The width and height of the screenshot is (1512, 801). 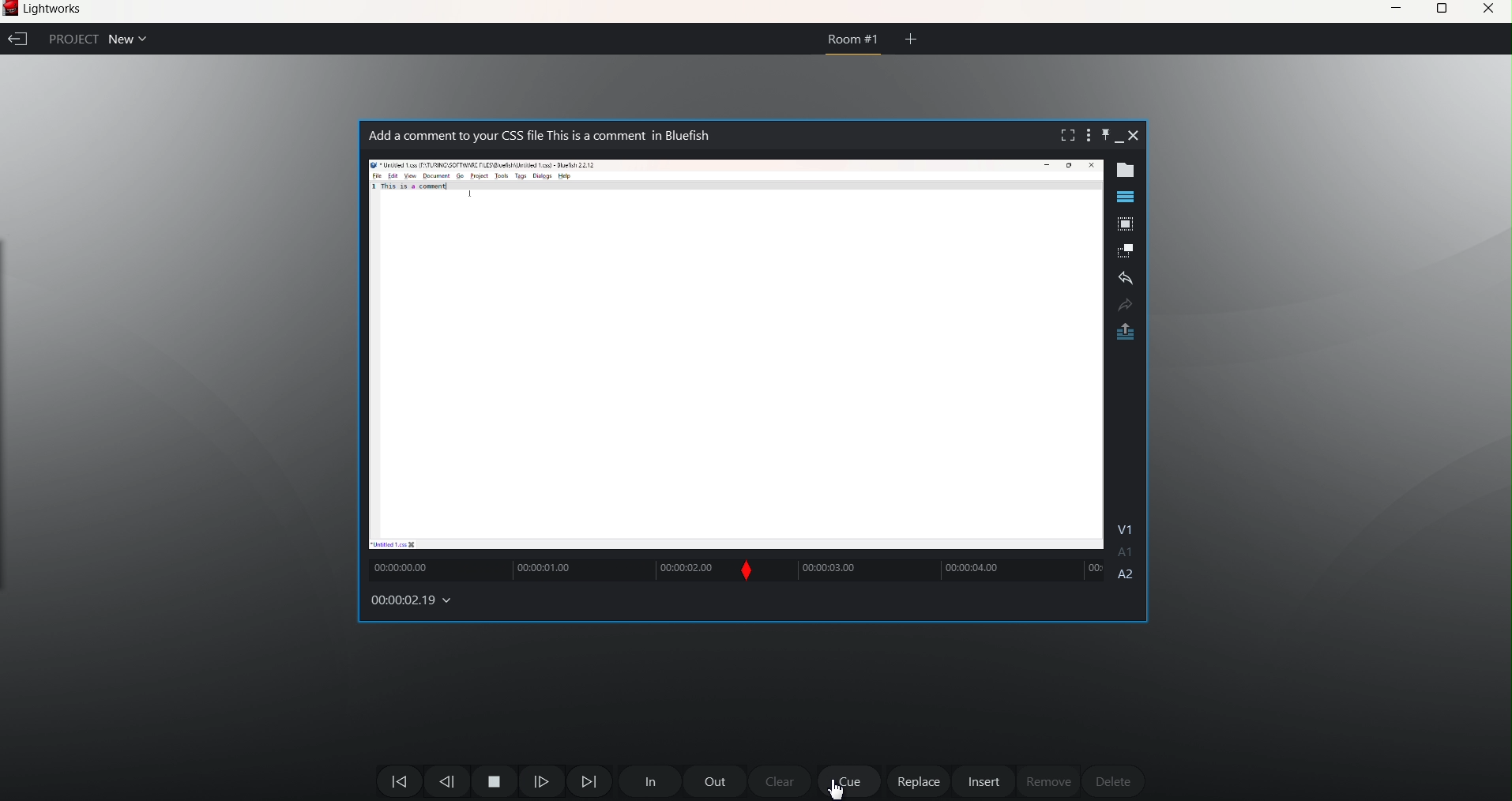 I want to click on minimize, so click(x=1394, y=8).